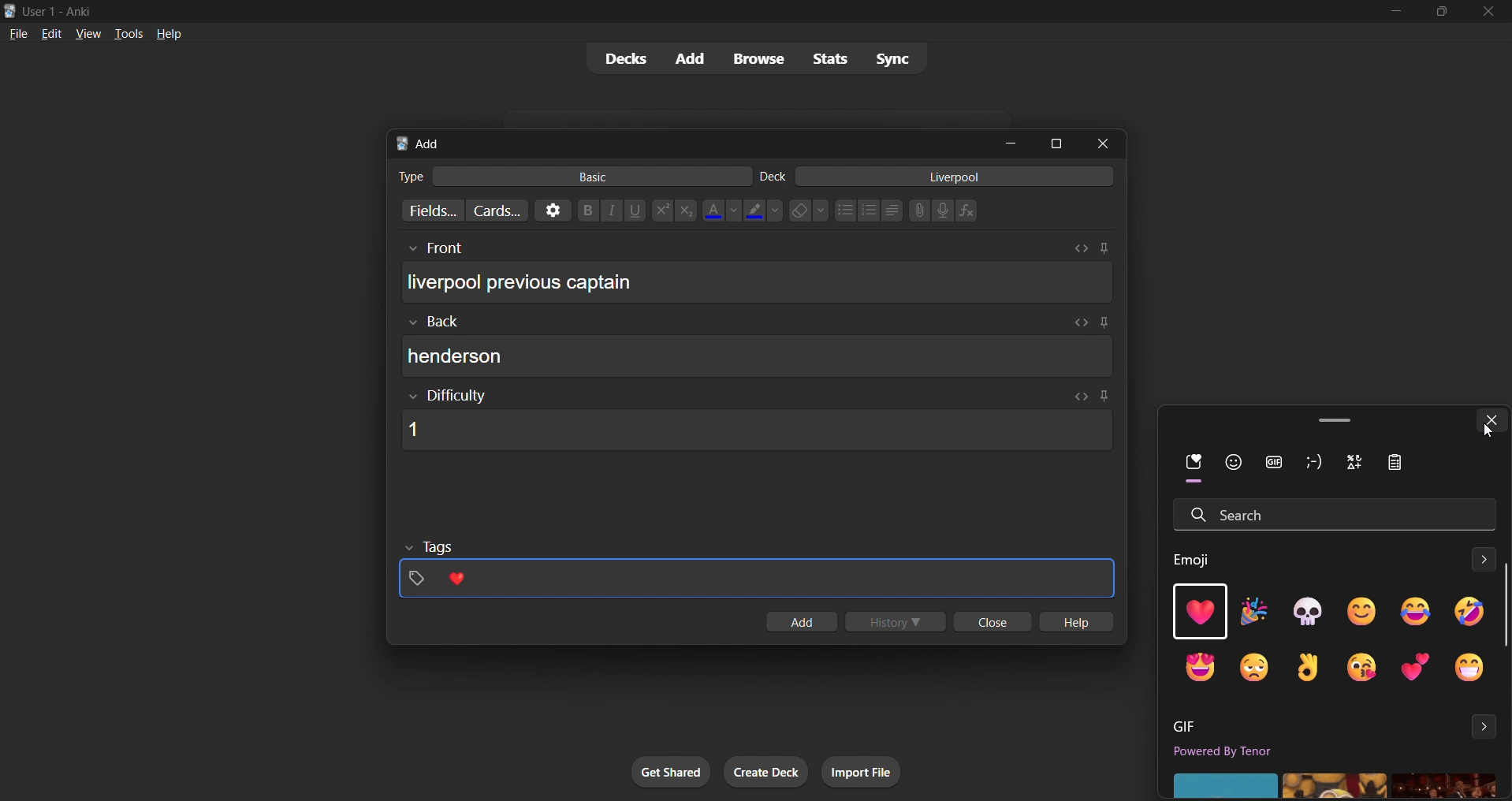 This screenshot has width=1512, height=801. I want to click on close, so click(989, 623).